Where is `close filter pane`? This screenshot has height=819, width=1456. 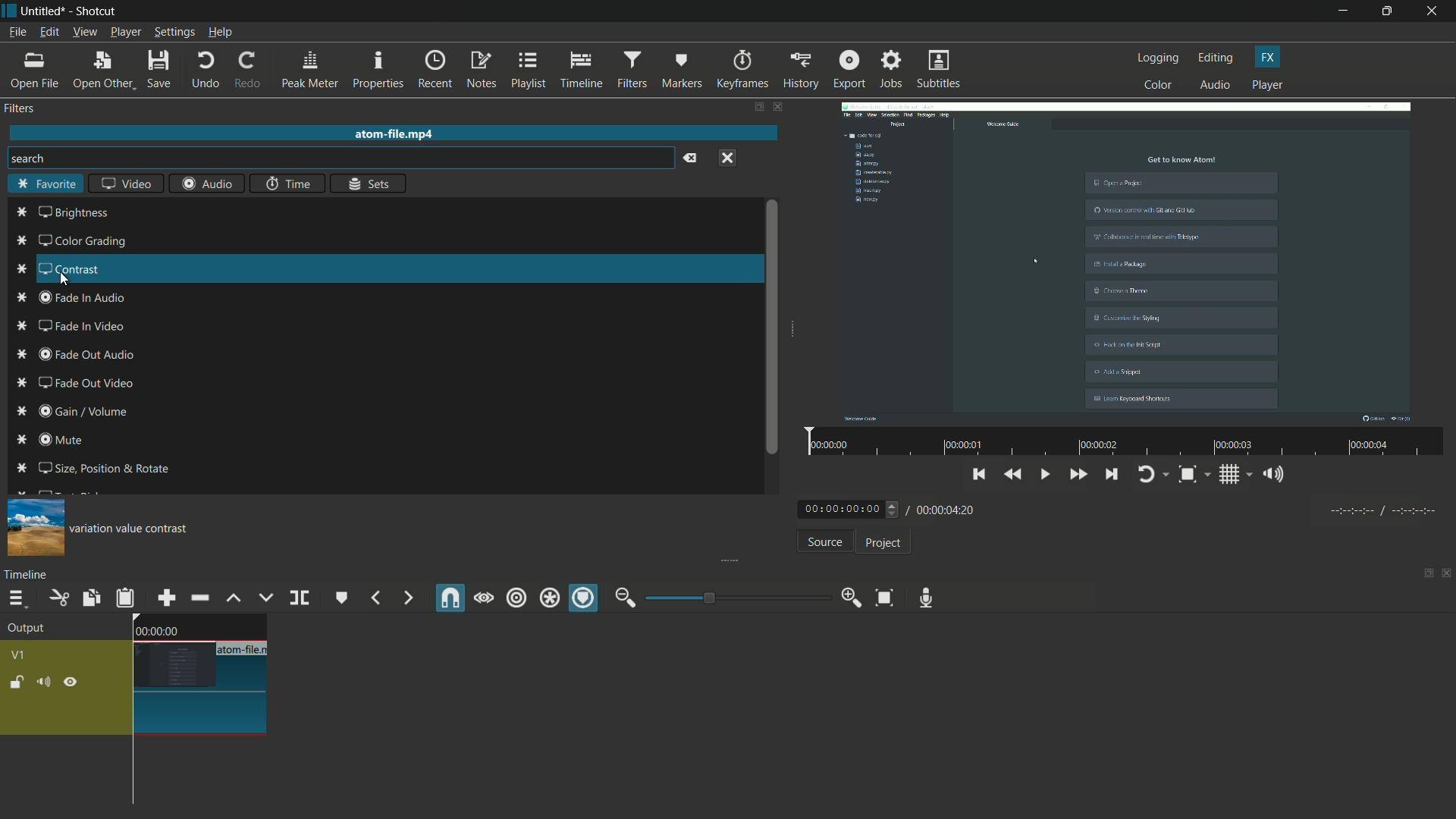 close filter pane is located at coordinates (780, 108).